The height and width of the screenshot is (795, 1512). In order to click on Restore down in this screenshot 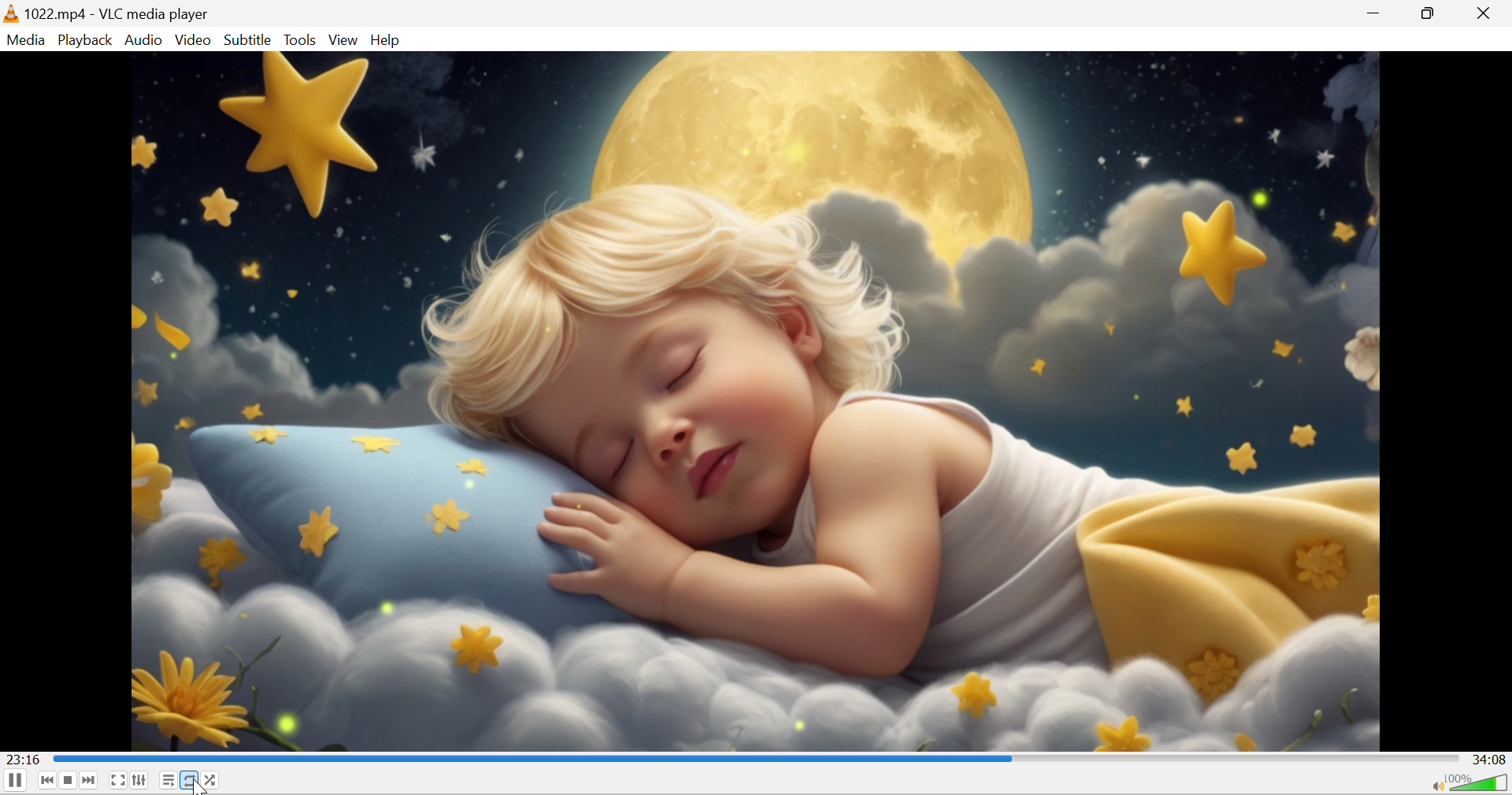, I will do `click(1428, 12)`.